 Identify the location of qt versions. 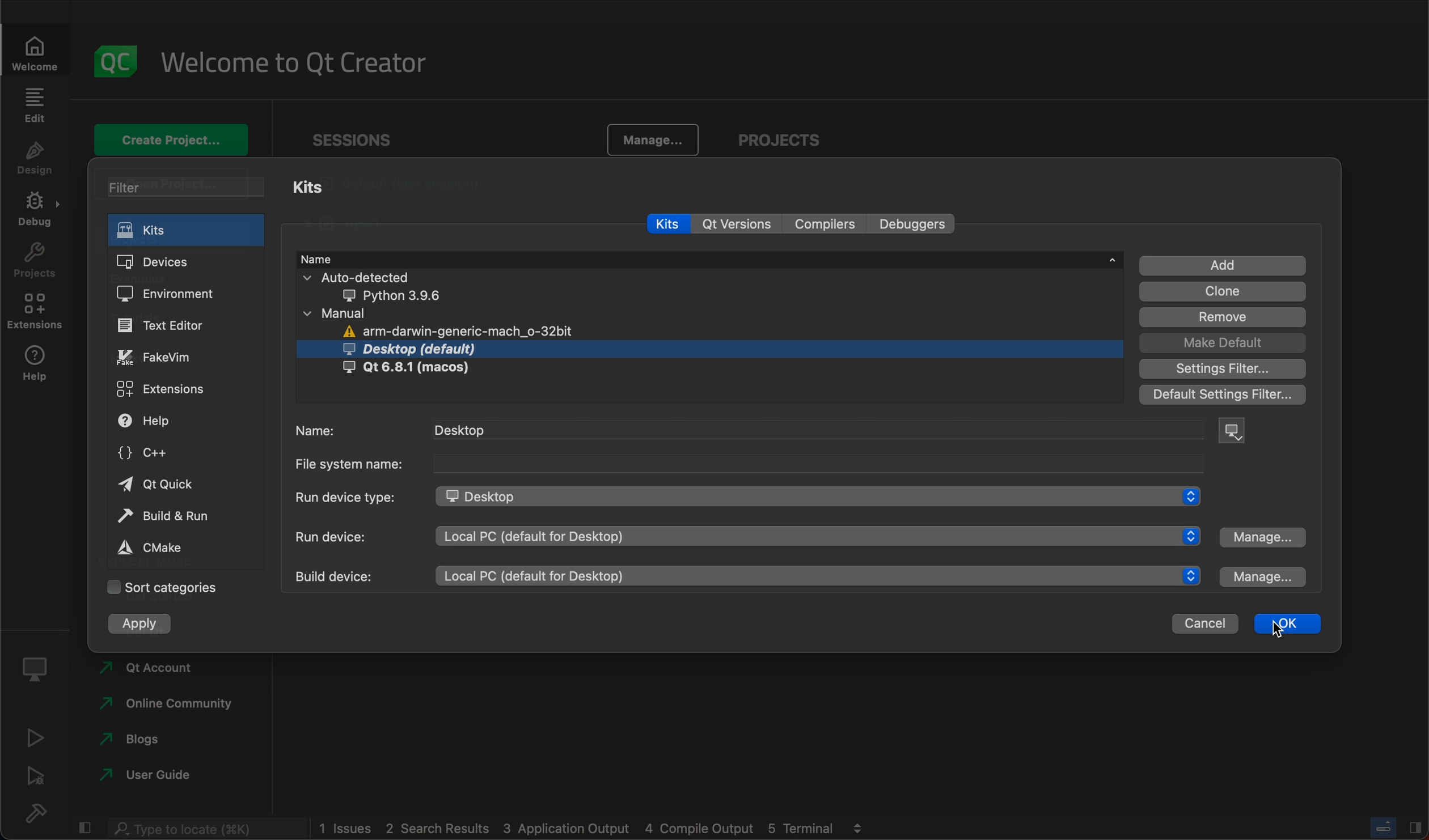
(740, 224).